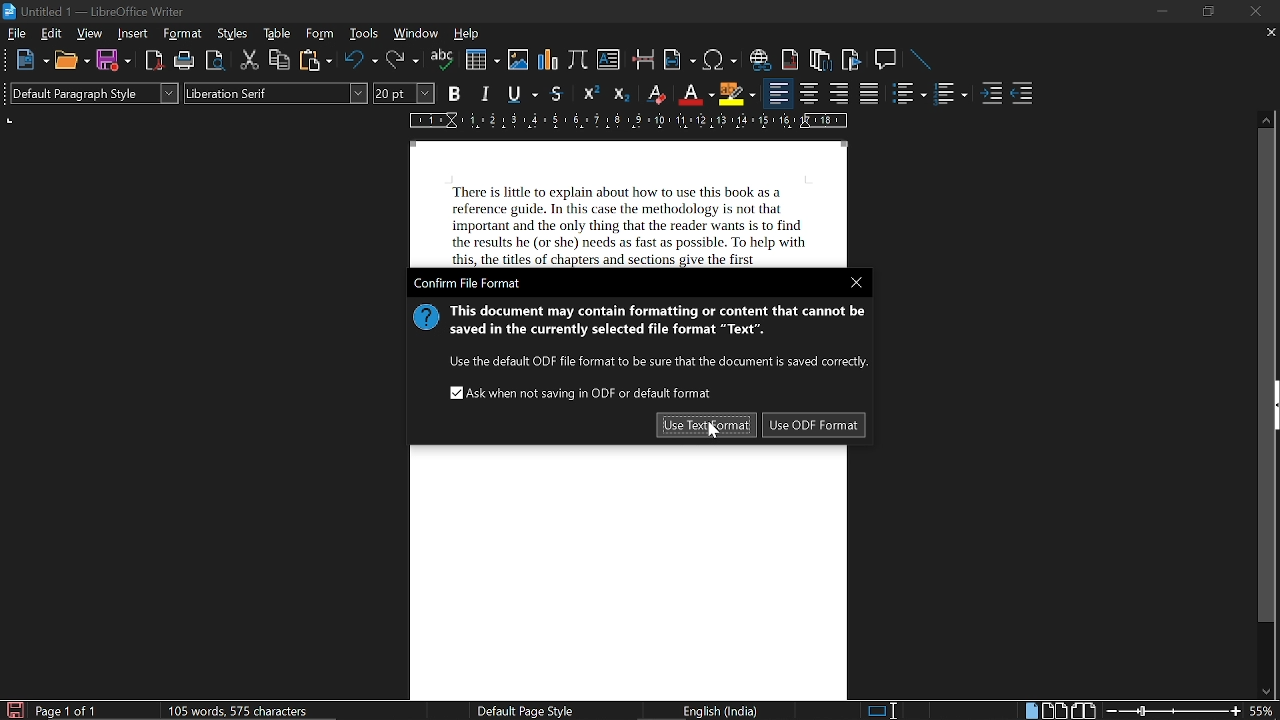  Describe the element at coordinates (910, 92) in the screenshot. I see `toggle ordered list` at that location.